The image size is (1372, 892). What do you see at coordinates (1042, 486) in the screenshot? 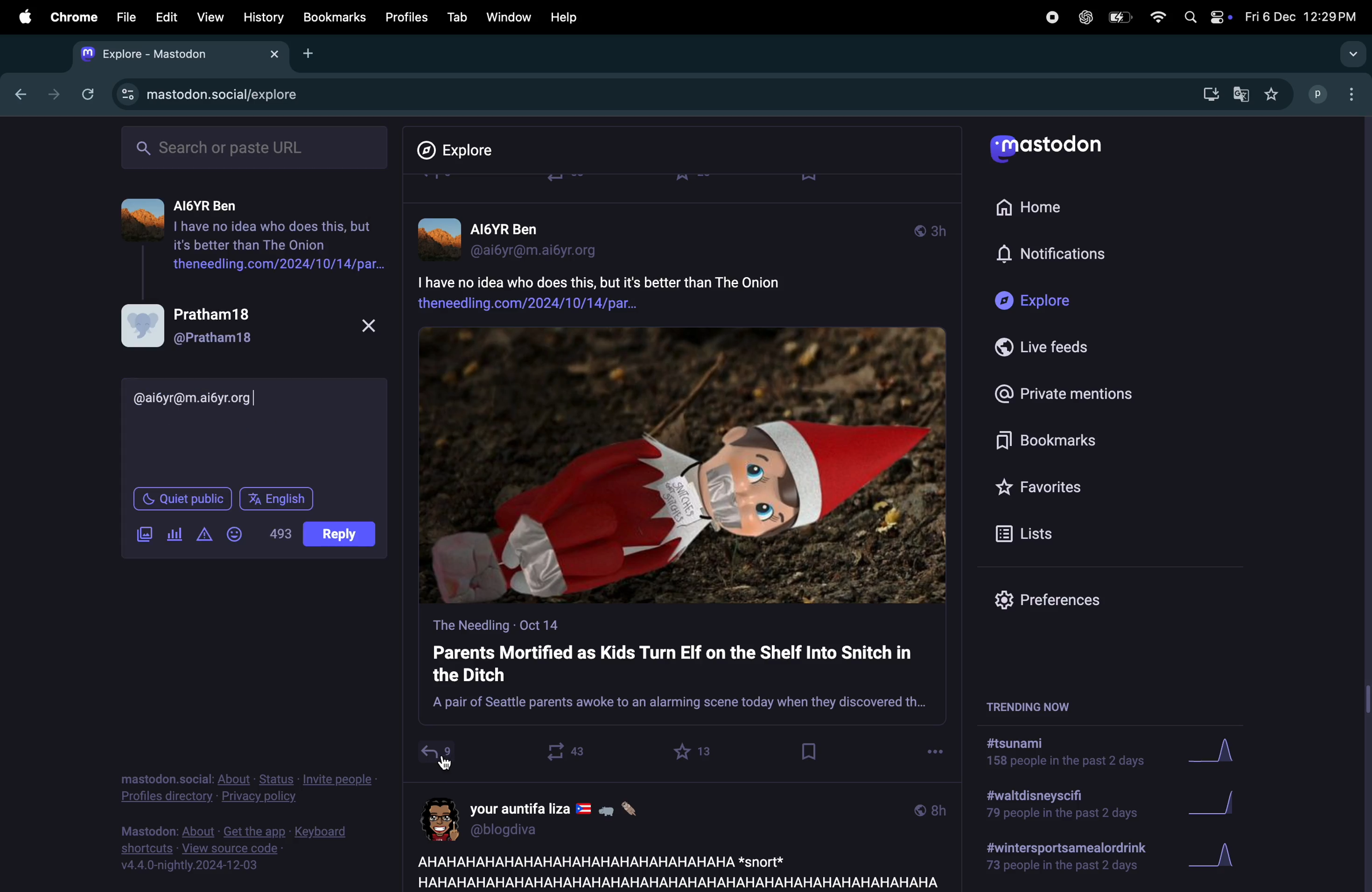
I see `Favourites` at bounding box center [1042, 486].